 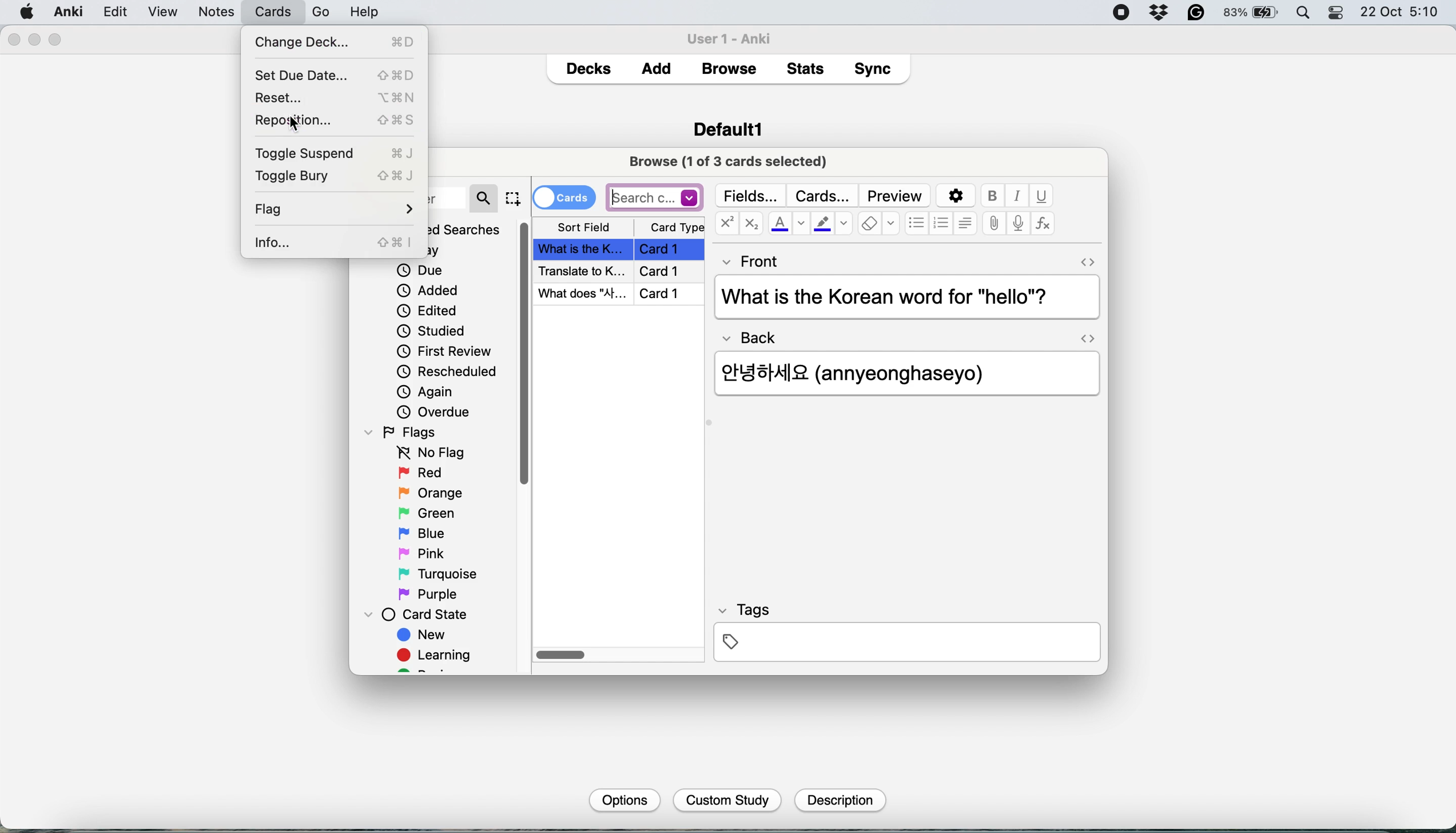 I want to click on change deck, so click(x=340, y=40).